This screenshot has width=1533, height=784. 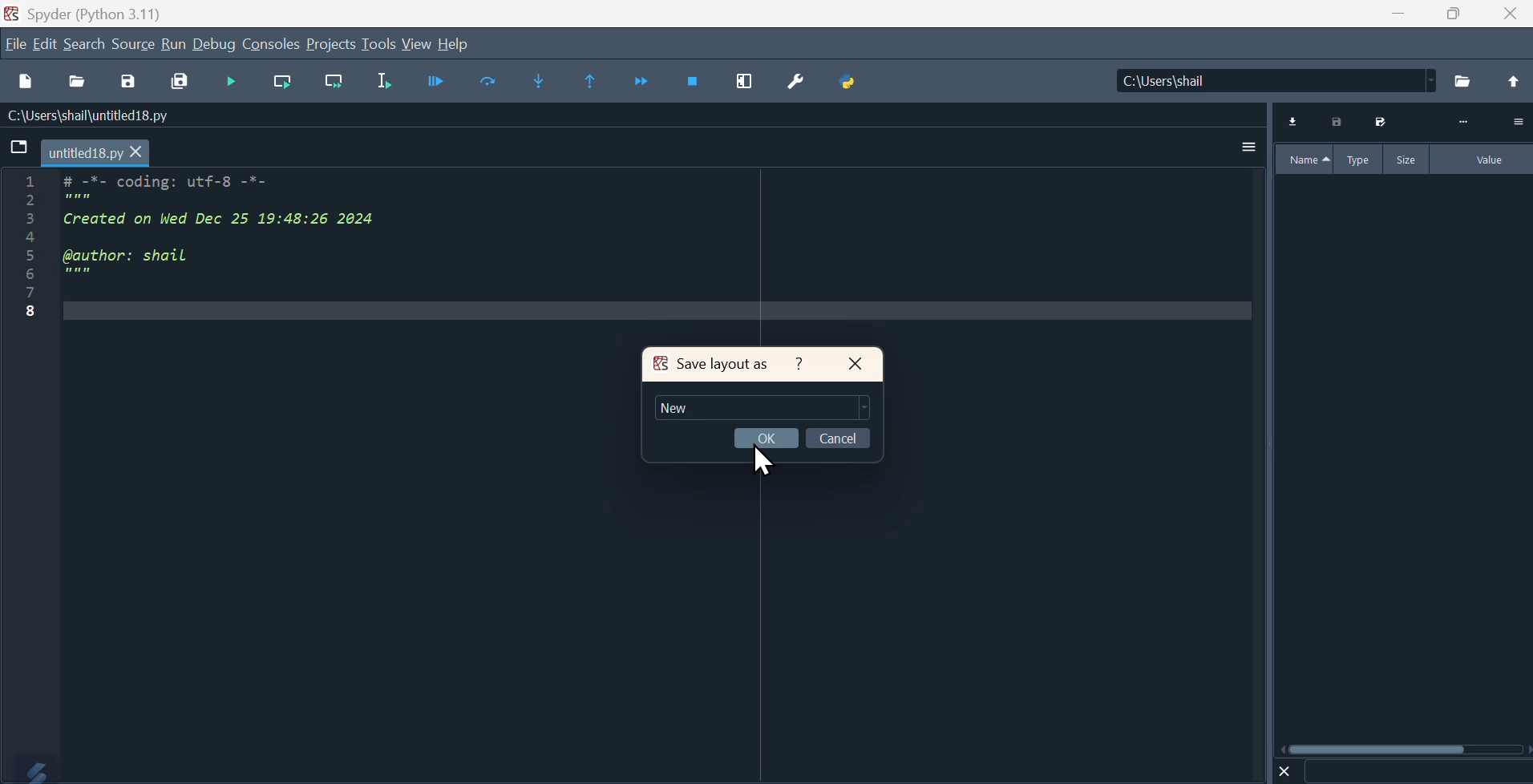 What do you see at coordinates (855, 365) in the screenshot?
I see `Close` at bounding box center [855, 365].